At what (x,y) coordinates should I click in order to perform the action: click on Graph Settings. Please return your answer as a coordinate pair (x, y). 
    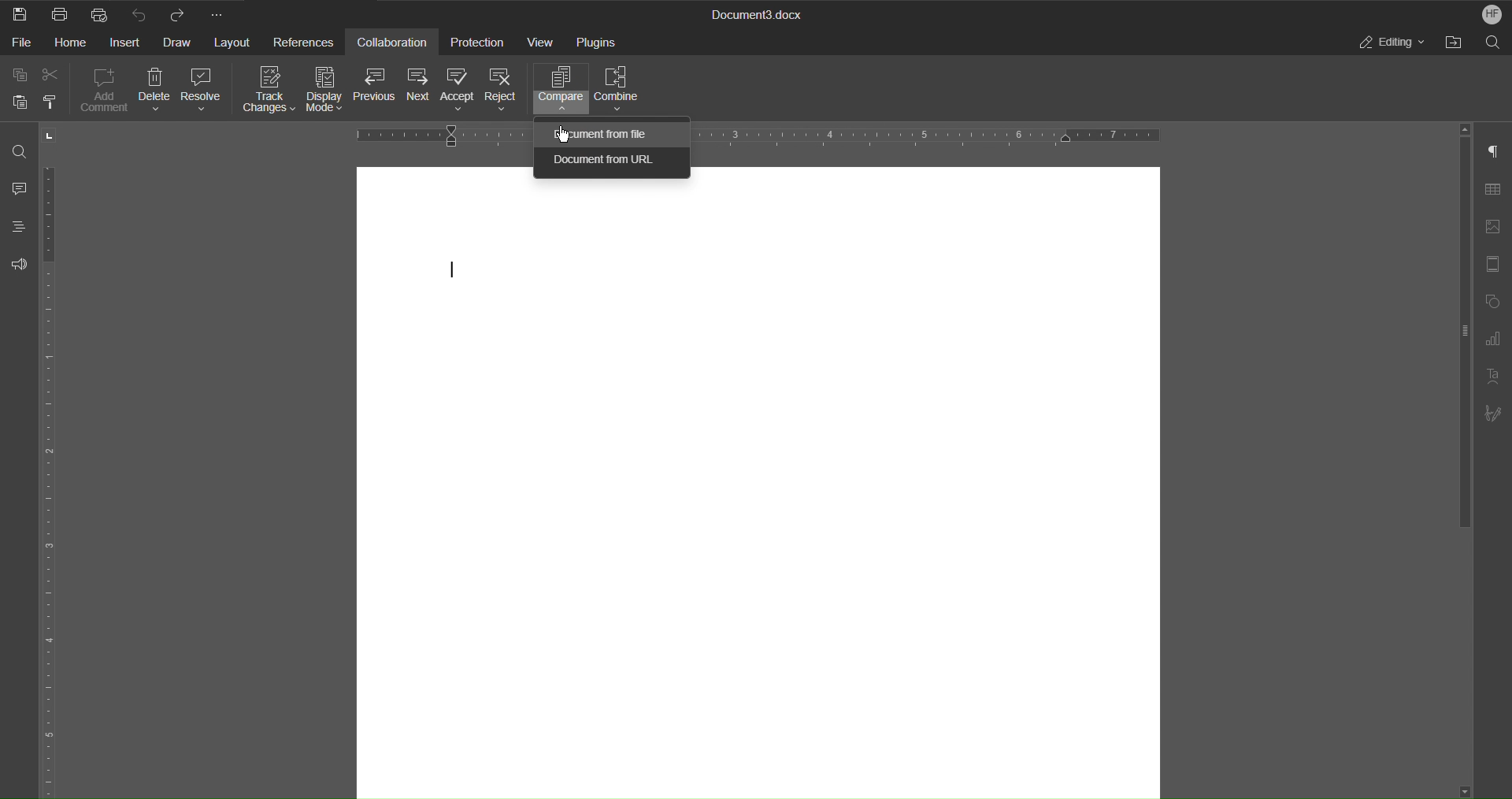
    Looking at the image, I should click on (1493, 341).